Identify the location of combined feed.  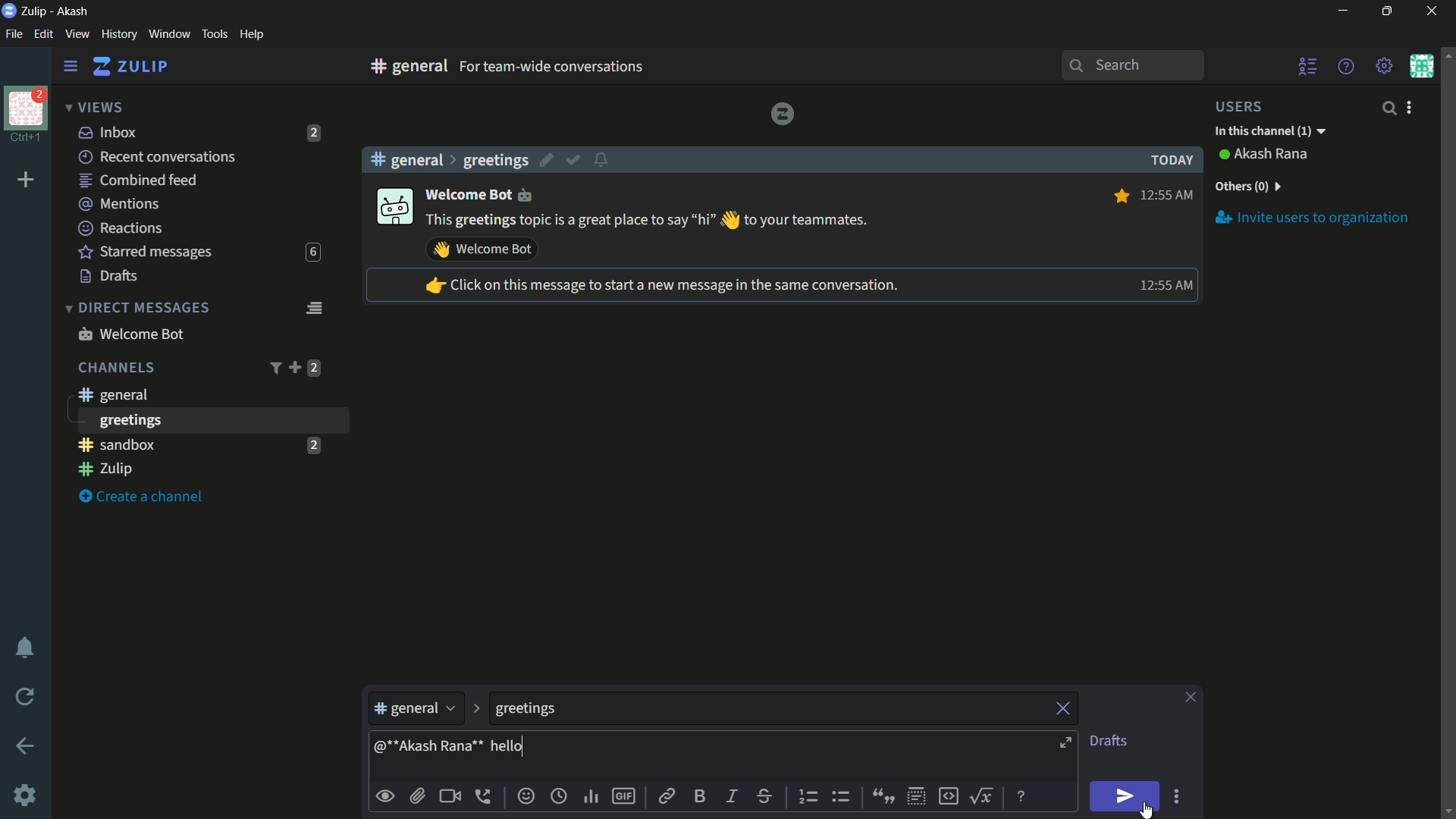
(137, 181).